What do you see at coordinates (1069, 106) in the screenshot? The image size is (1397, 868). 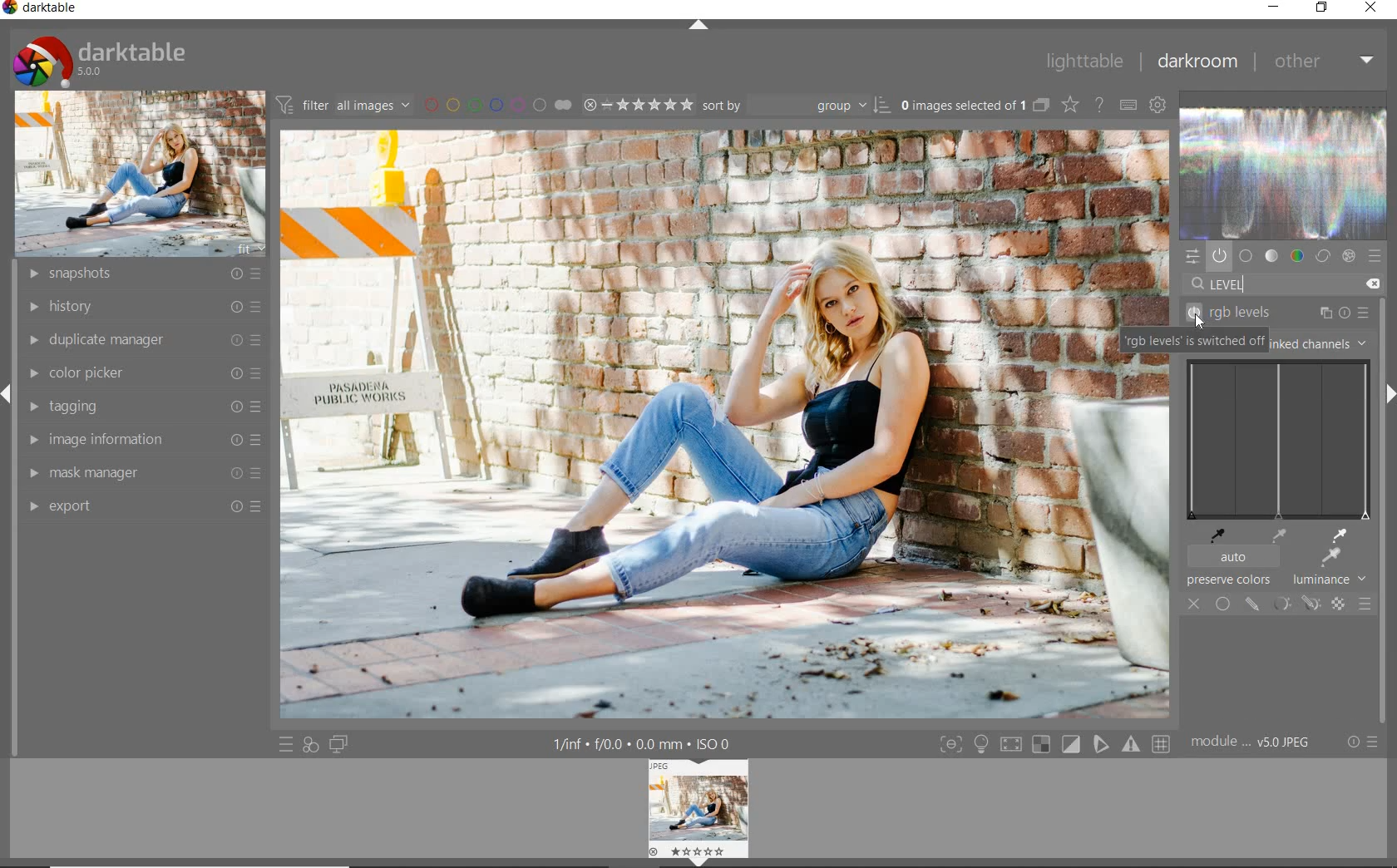 I see `change type of overlays` at bounding box center [1069, 106].